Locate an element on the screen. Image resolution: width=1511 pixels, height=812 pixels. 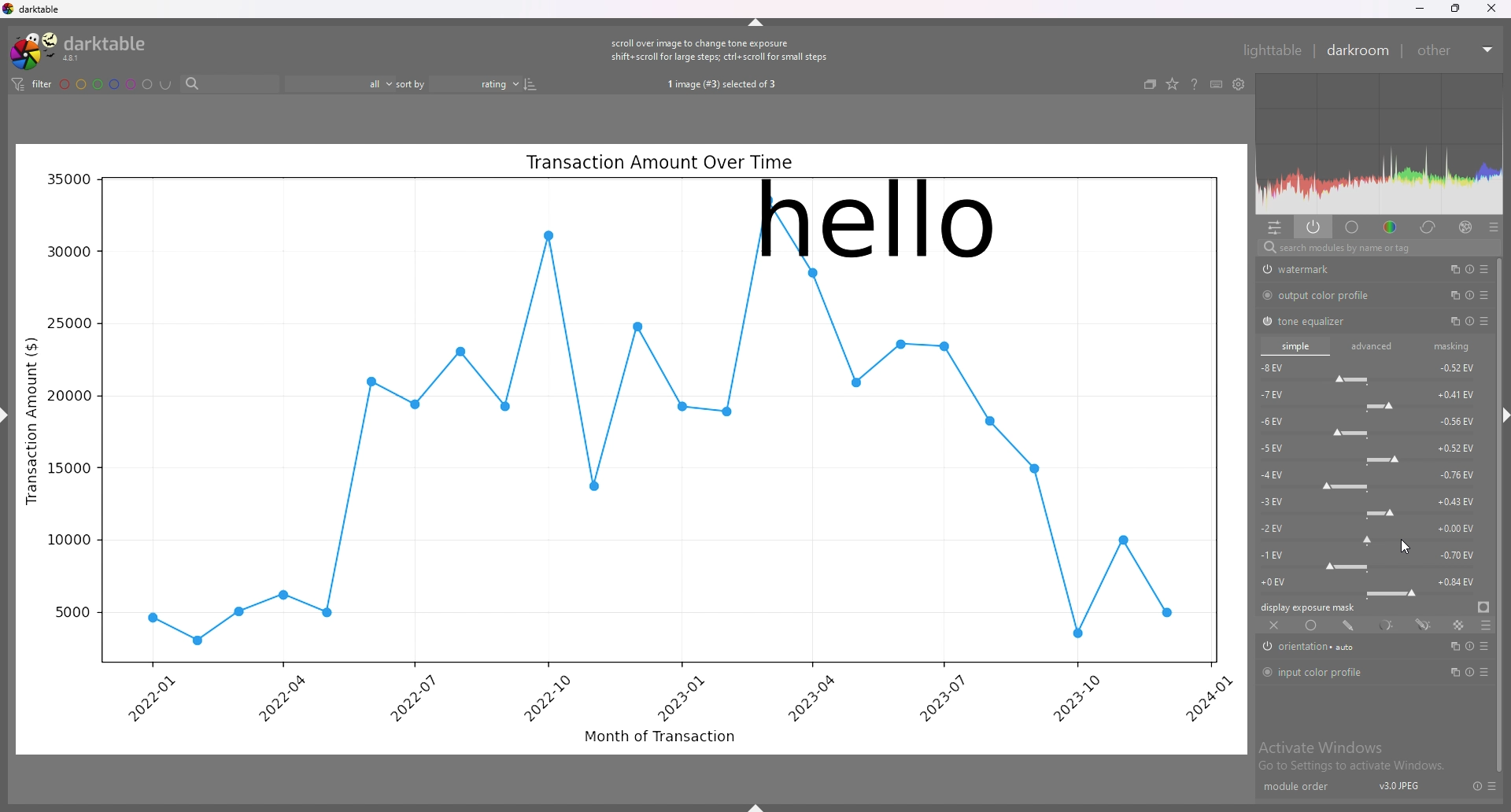
module order is located at coordinates (1299, 787).